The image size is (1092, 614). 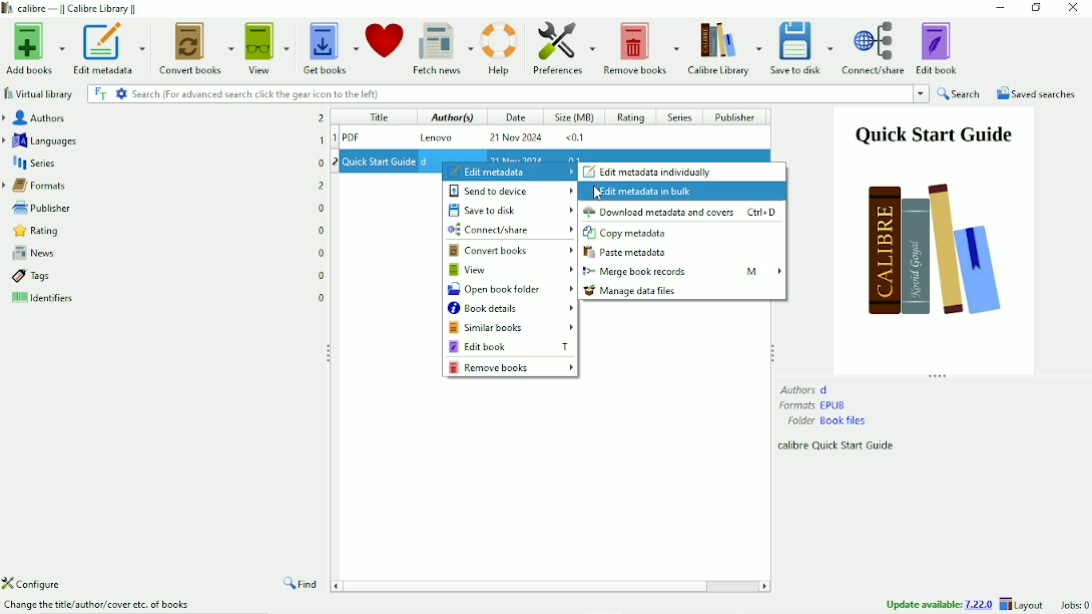 I want to click on Save to disk, so click(x=803, y=48).